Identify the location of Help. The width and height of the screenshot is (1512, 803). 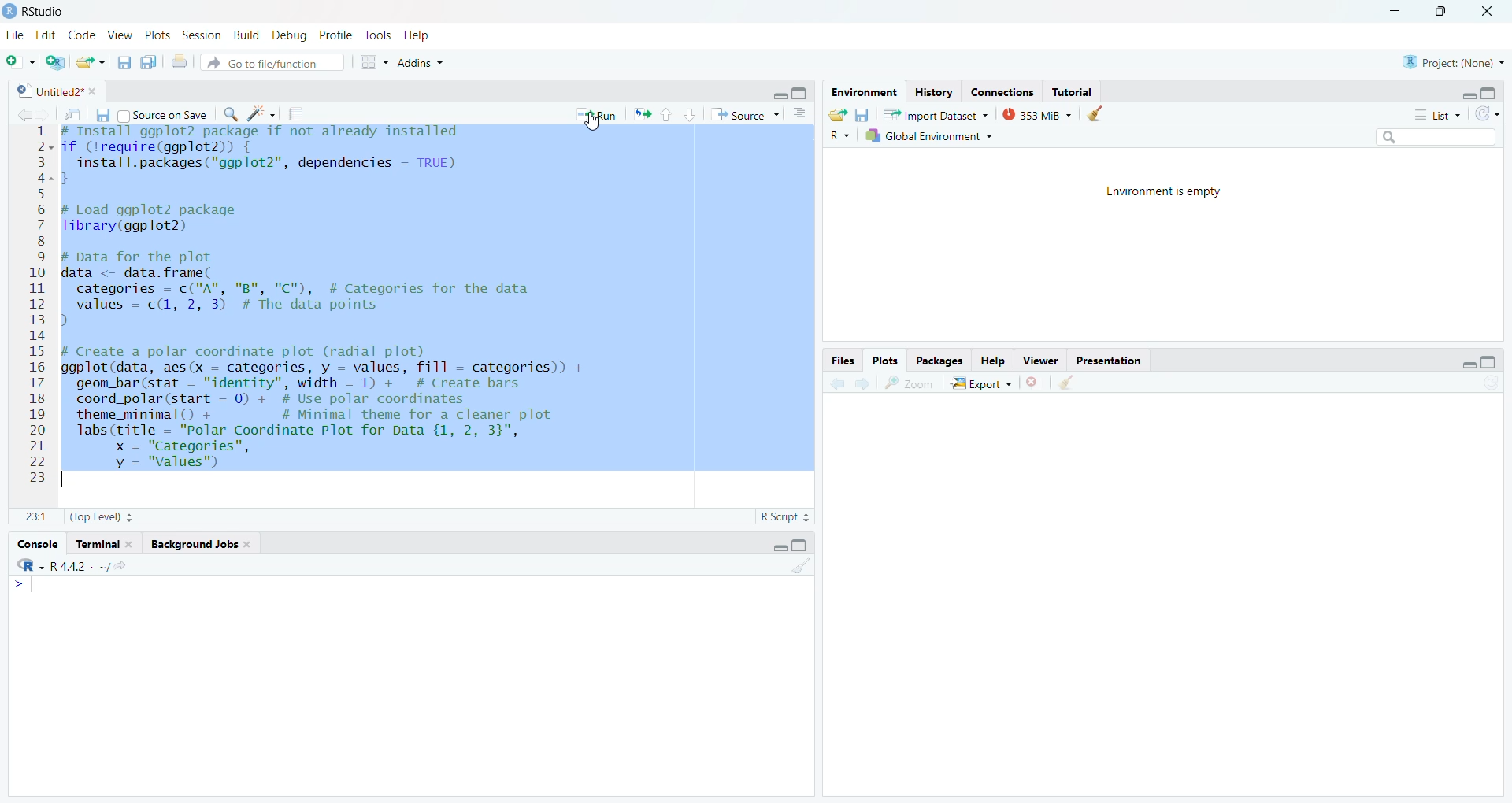
(418, 36).